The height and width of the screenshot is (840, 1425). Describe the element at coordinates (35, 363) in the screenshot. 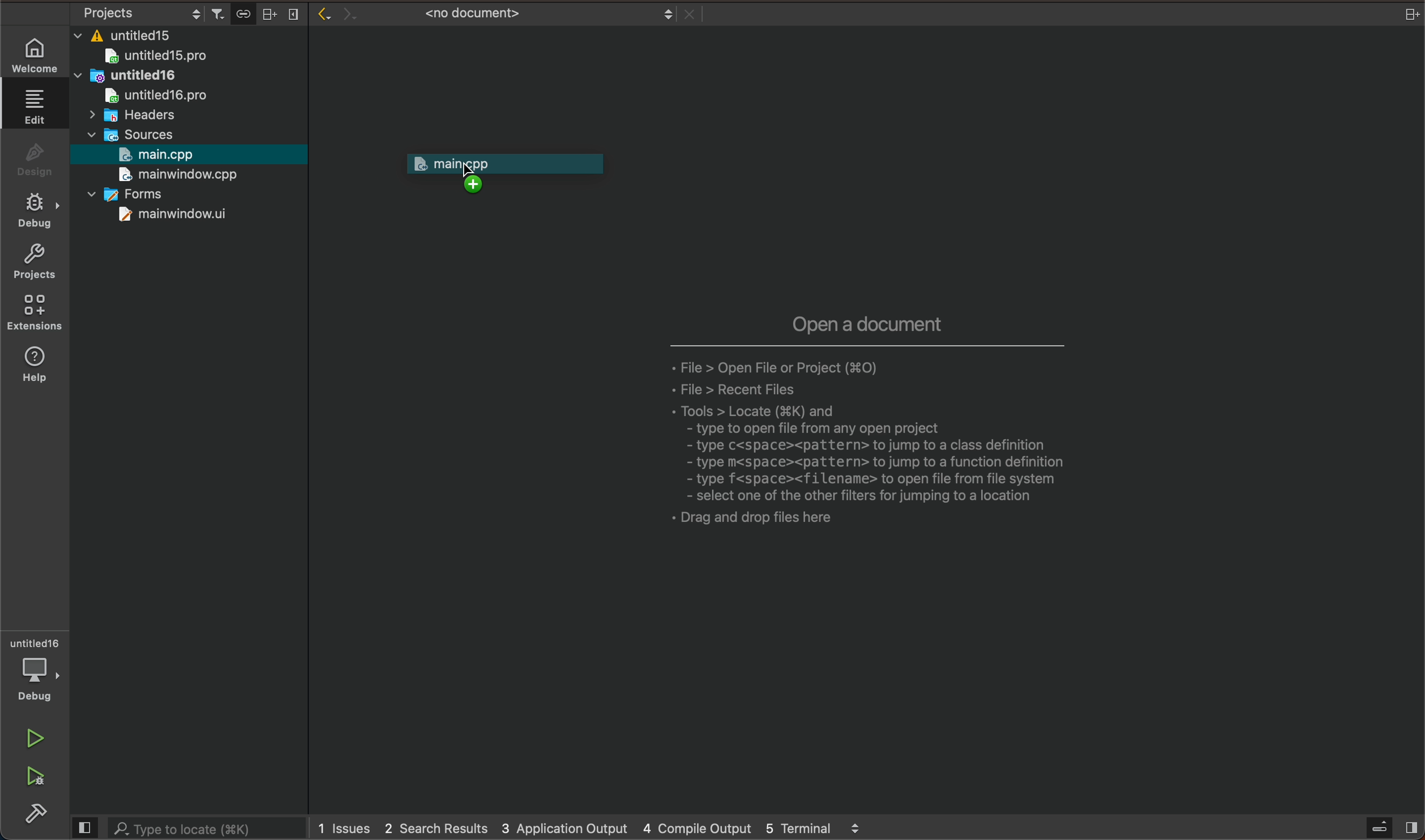

I see `help` at that location.